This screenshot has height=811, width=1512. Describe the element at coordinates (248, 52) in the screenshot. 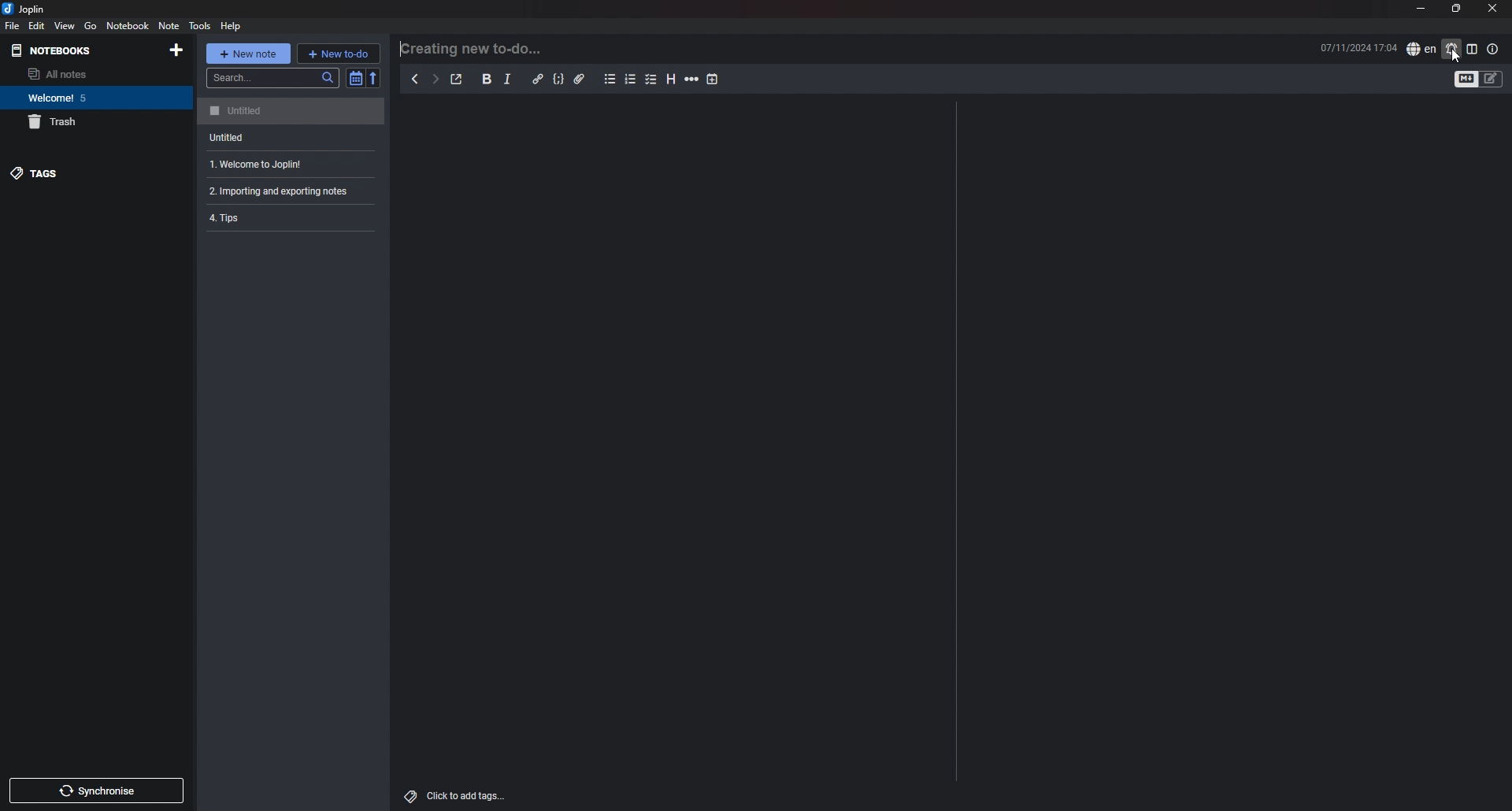

I see `new note` at that location.